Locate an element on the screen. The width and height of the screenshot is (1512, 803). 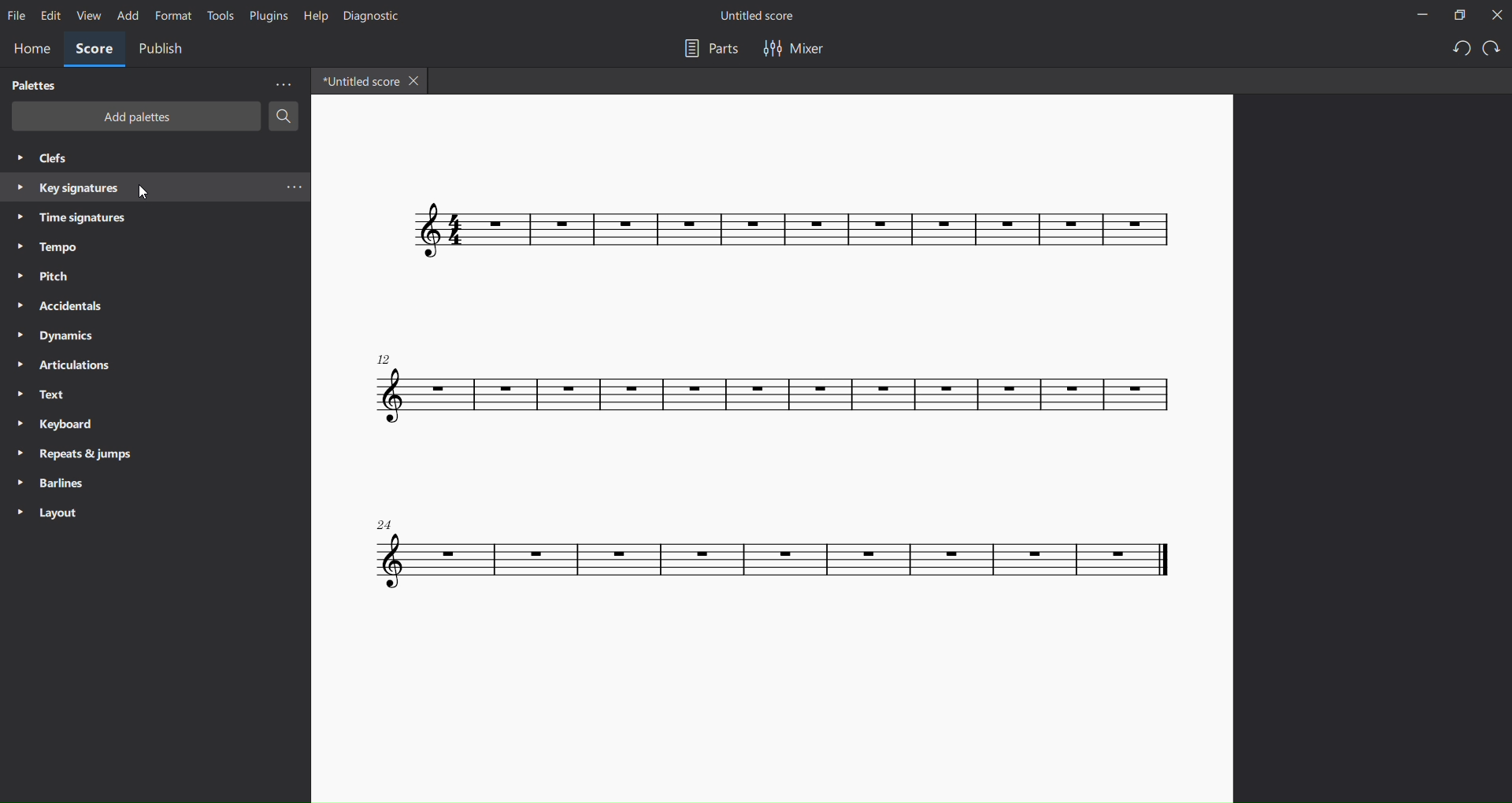
maximize is located at coordinates (1458, 16).